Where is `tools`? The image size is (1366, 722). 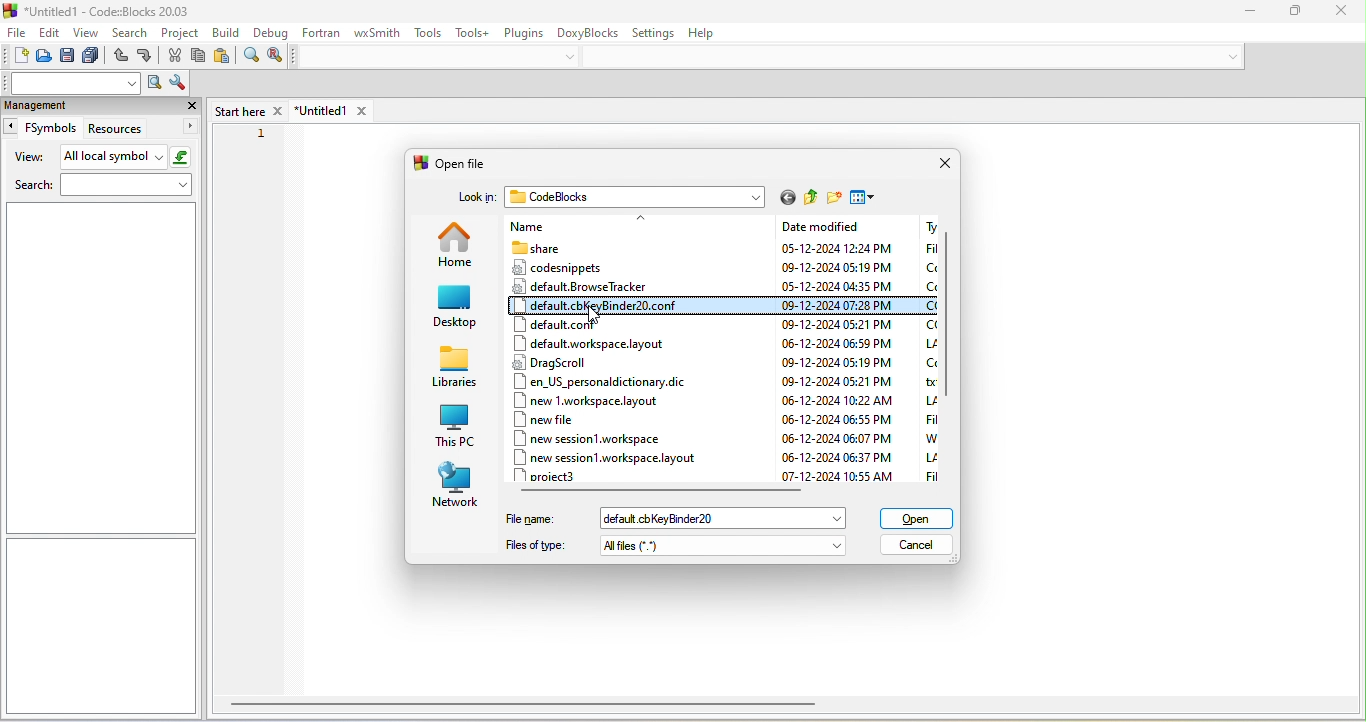 tools is located at coordinates (426, 33).